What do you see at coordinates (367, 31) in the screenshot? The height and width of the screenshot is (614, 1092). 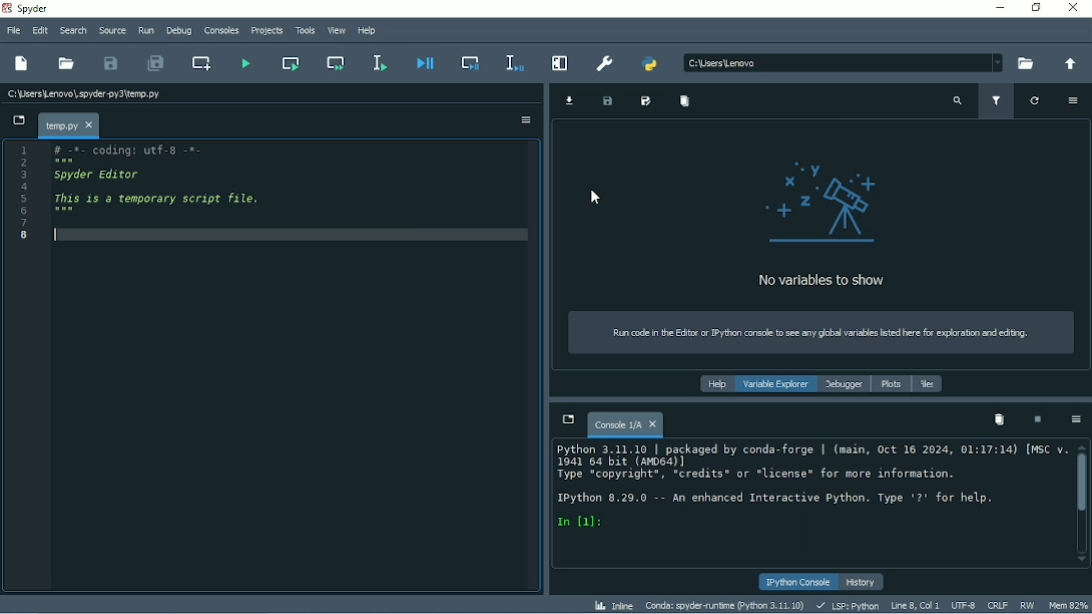 I see `Help` at bounding box center [367, 31].